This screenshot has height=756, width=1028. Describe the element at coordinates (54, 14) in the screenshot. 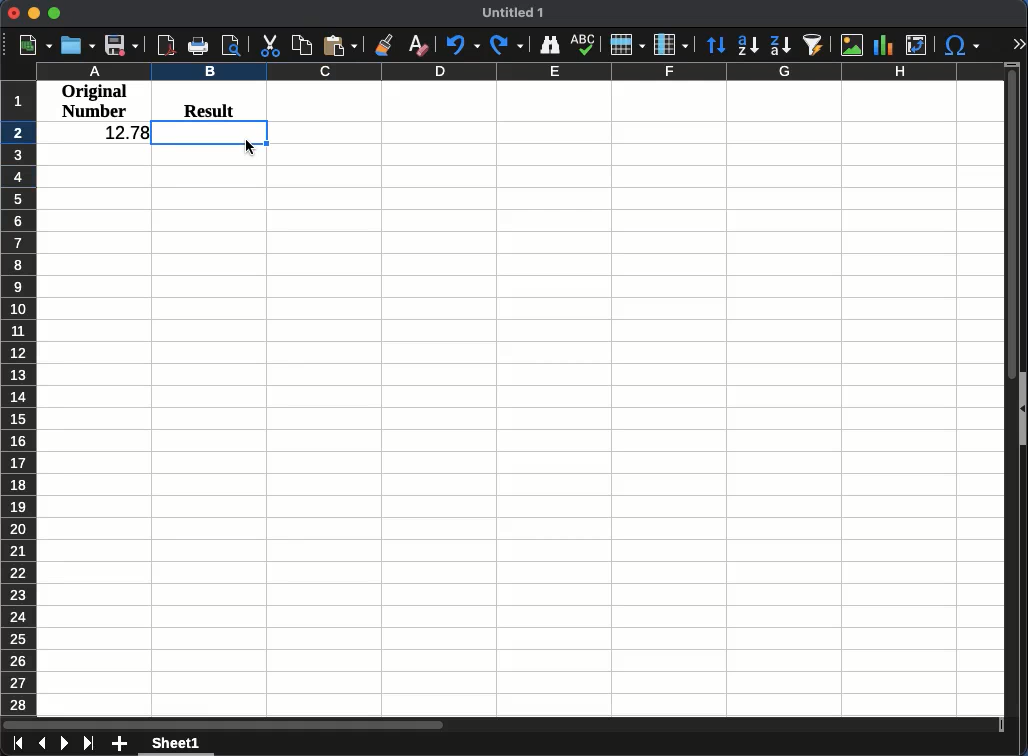

I see `Maximize` at that location.